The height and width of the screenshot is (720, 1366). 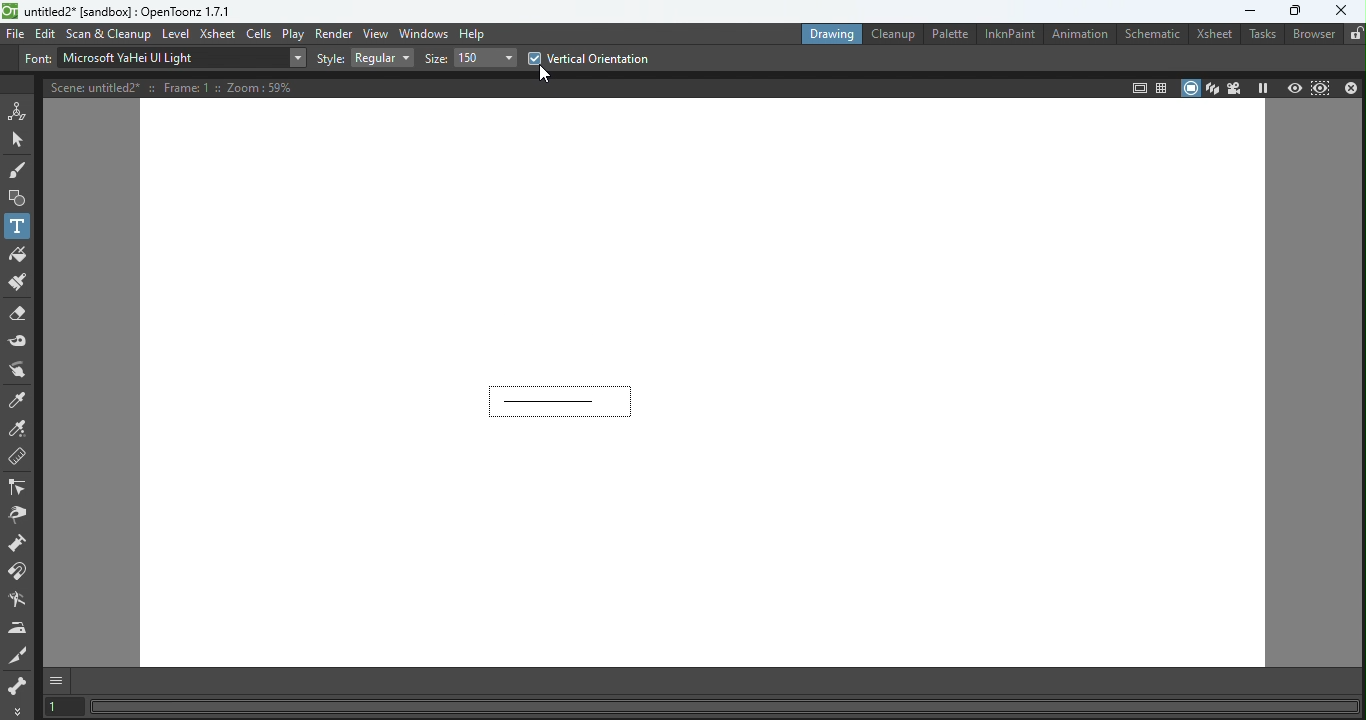 What do you see at coordinates (16, 683) in the screenshot?
I see `Skeleton` at bounding box center [16, 683].